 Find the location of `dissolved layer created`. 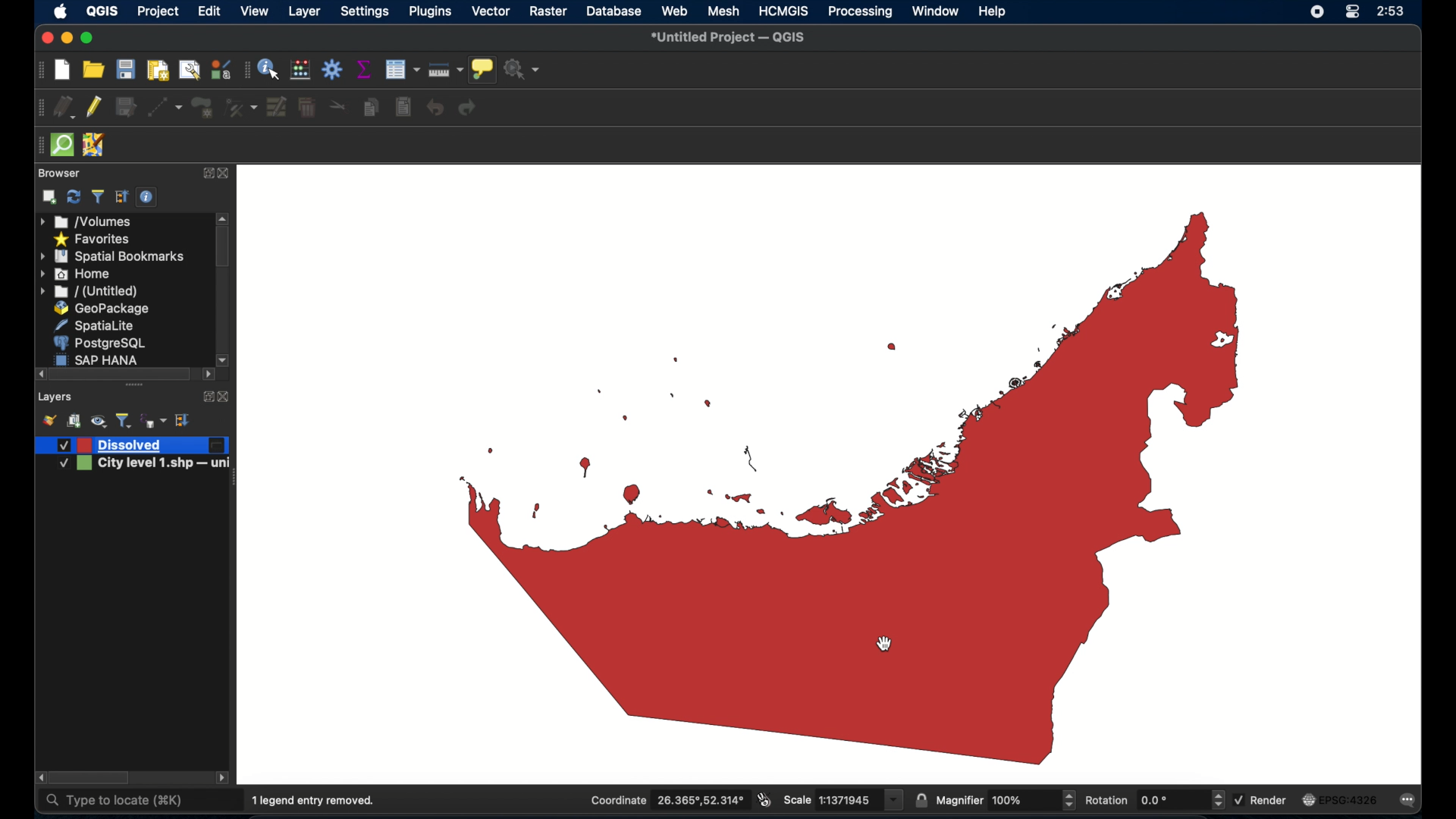

dissolved layer created is located at coordinates (139, 445).